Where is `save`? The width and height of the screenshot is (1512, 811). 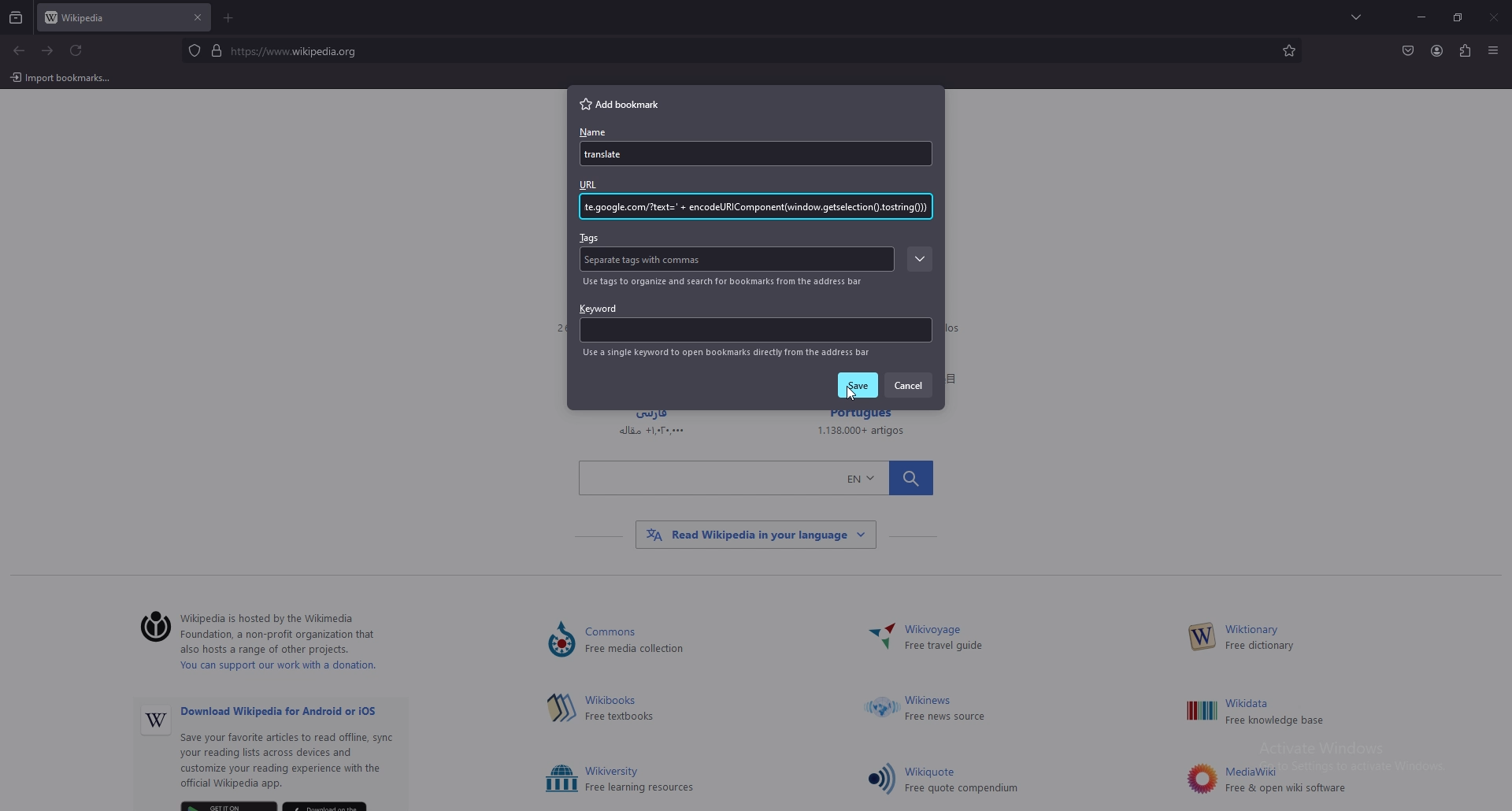 save is located at coordinates (859, 386).